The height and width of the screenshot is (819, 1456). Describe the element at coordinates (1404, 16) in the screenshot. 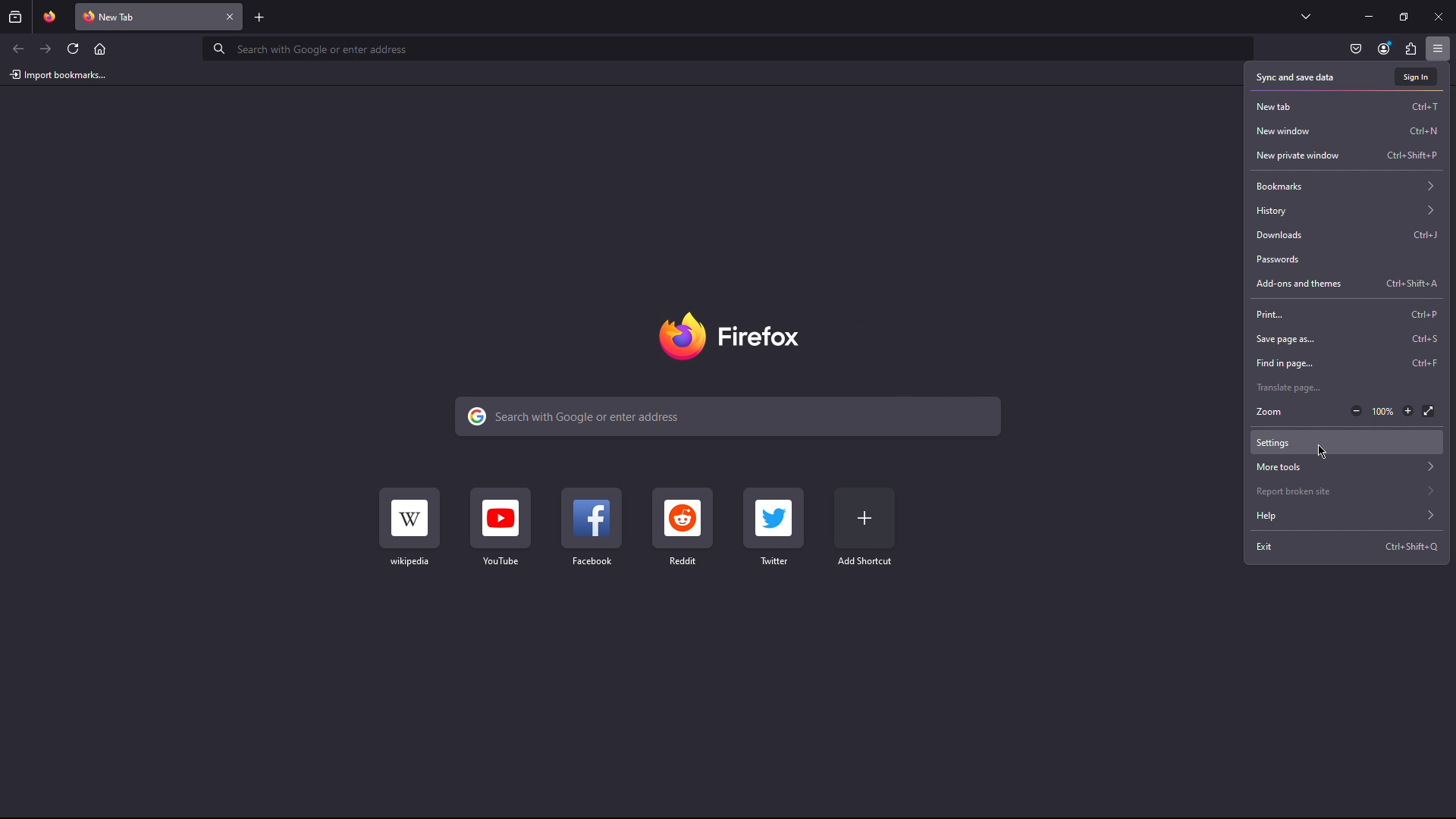

I see `Maximize` at that location.